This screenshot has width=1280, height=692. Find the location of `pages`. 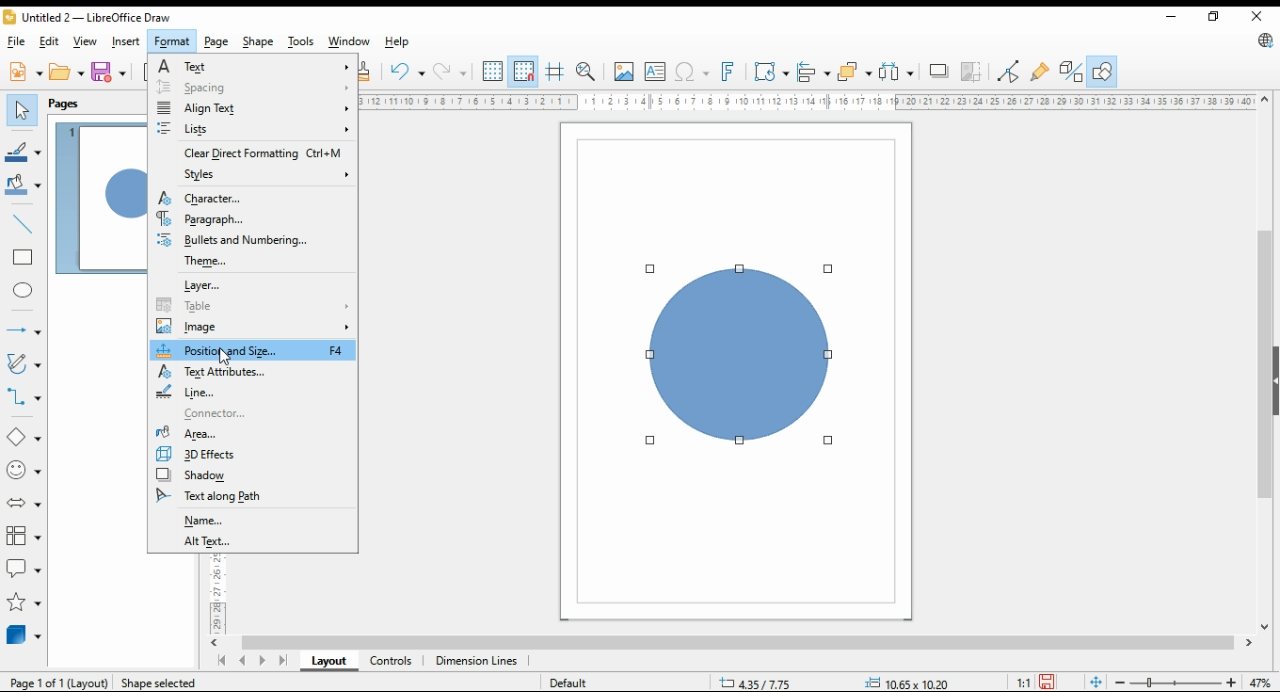

pages is located at coordinates (64, 105).